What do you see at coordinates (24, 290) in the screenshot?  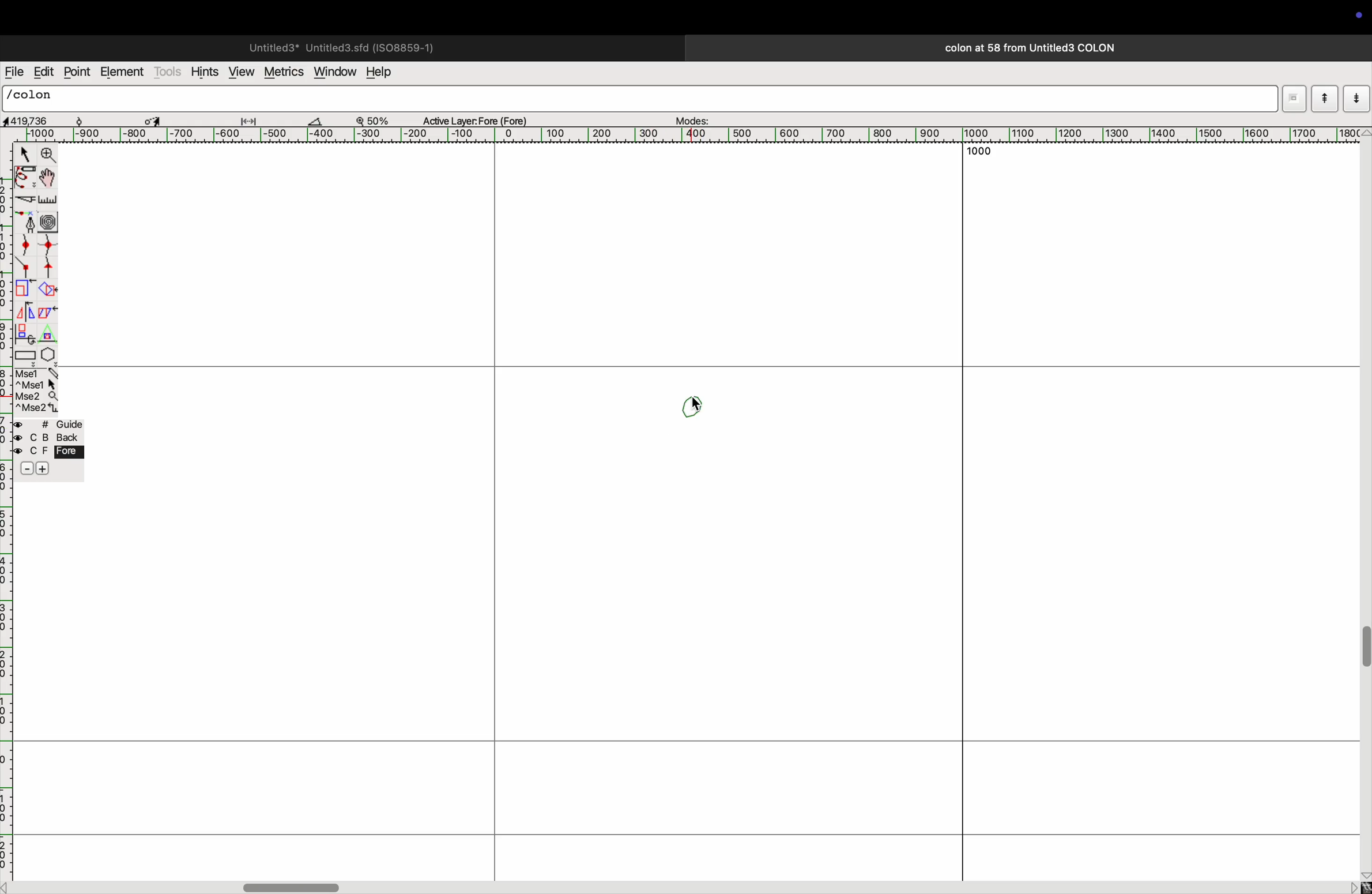 I see `minimize` at bounding box center [24, 290].